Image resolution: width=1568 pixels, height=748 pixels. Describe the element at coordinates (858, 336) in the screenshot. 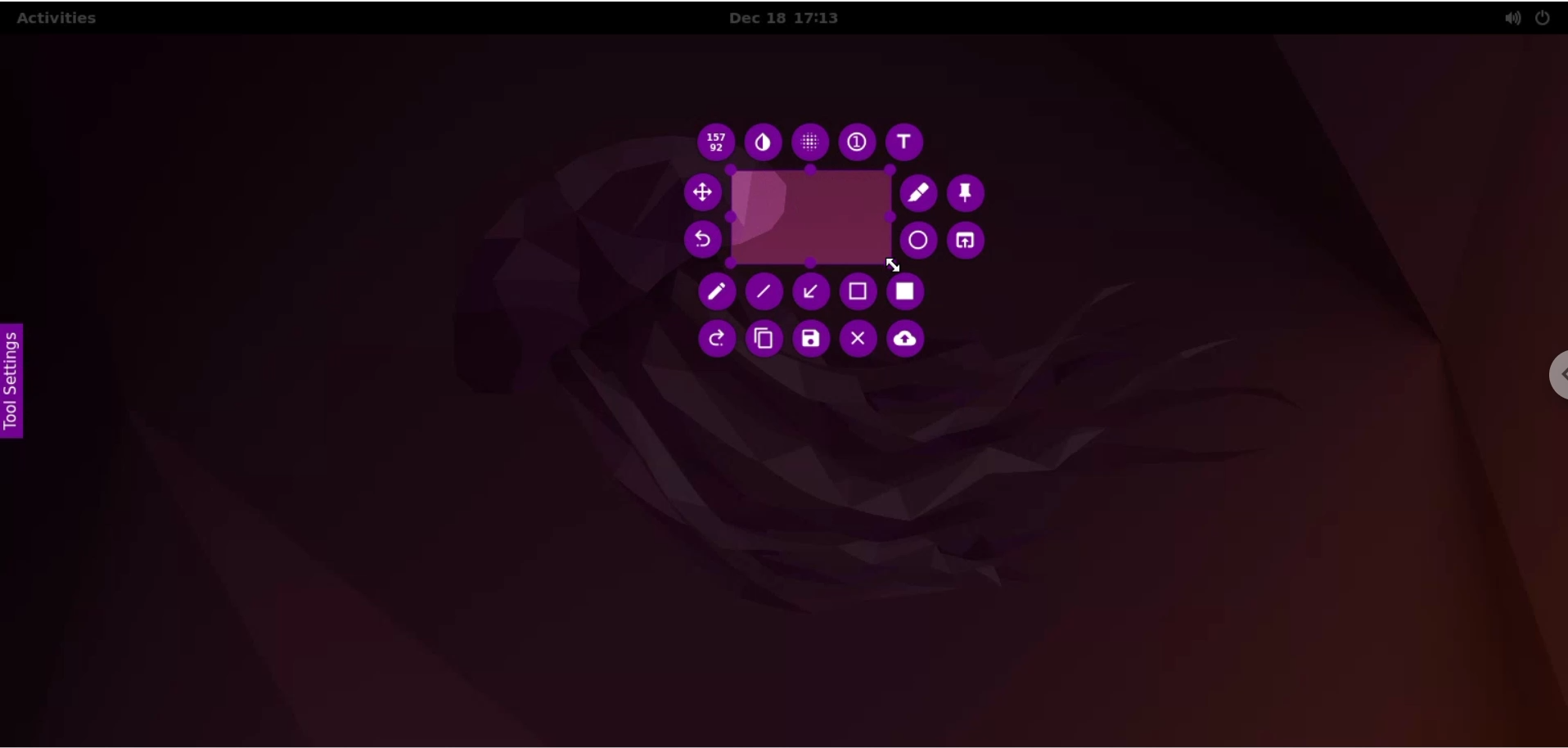

I see `leave` at that location.